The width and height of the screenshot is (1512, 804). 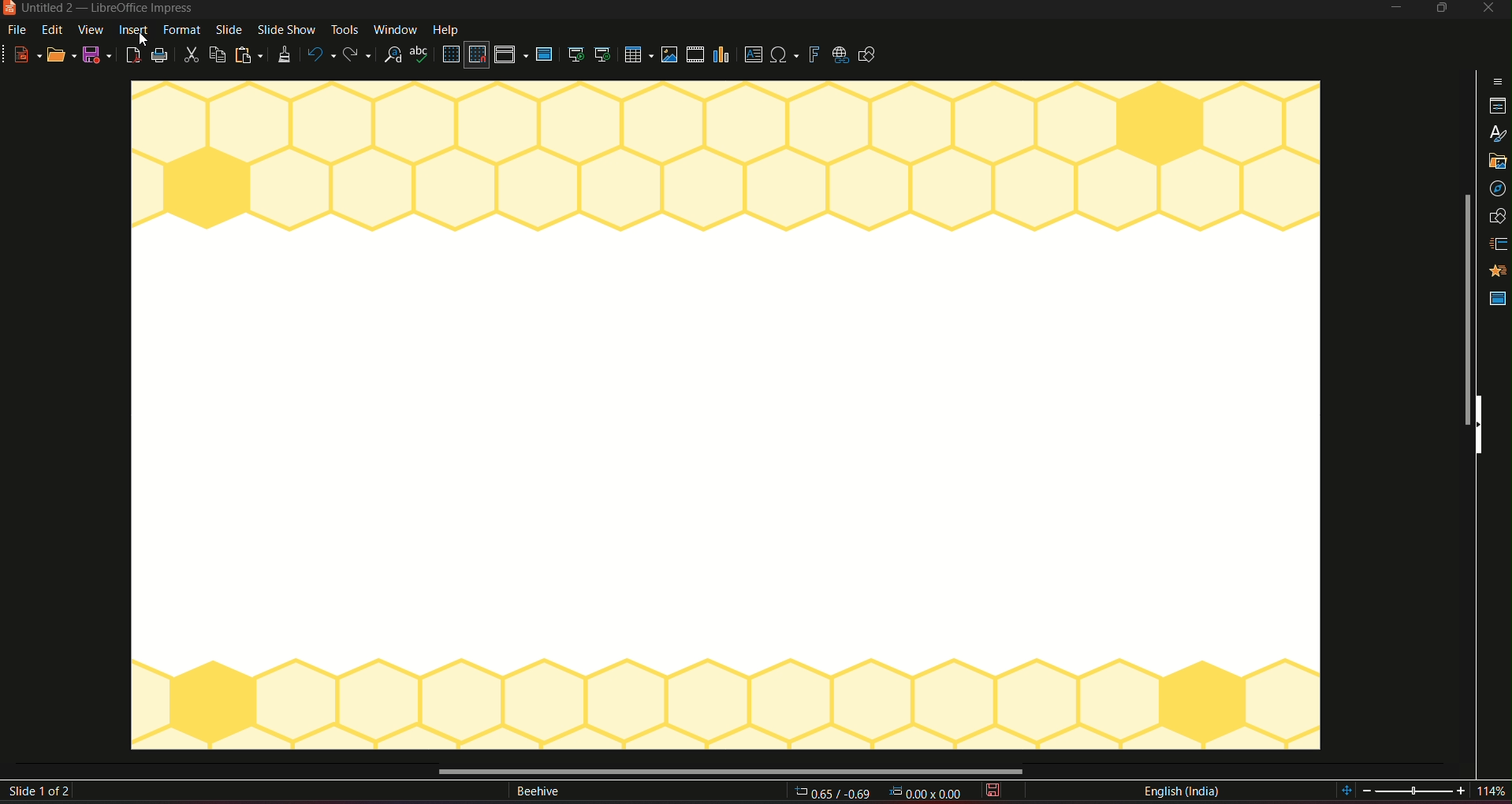 I want to click on slide transition , so click(x=1499, y=242).